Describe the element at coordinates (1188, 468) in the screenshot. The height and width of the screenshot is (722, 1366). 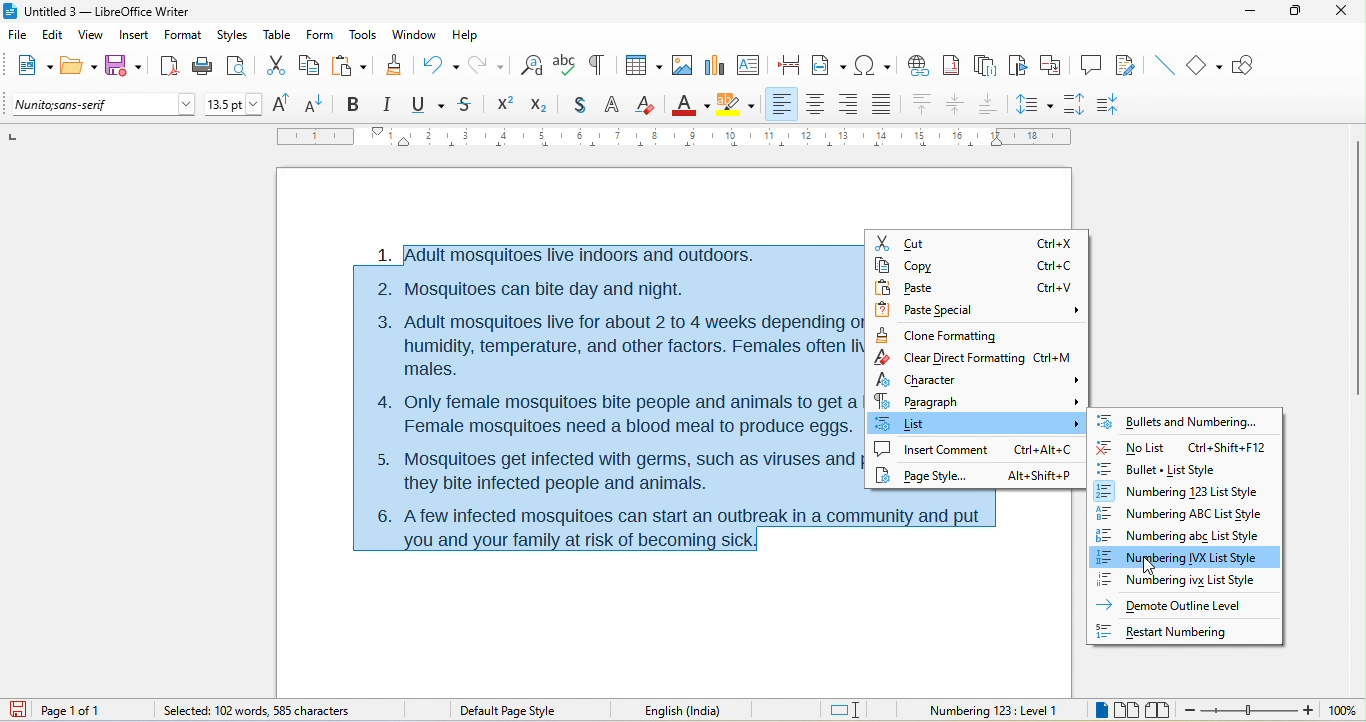
I see `bullet list style` at that location.